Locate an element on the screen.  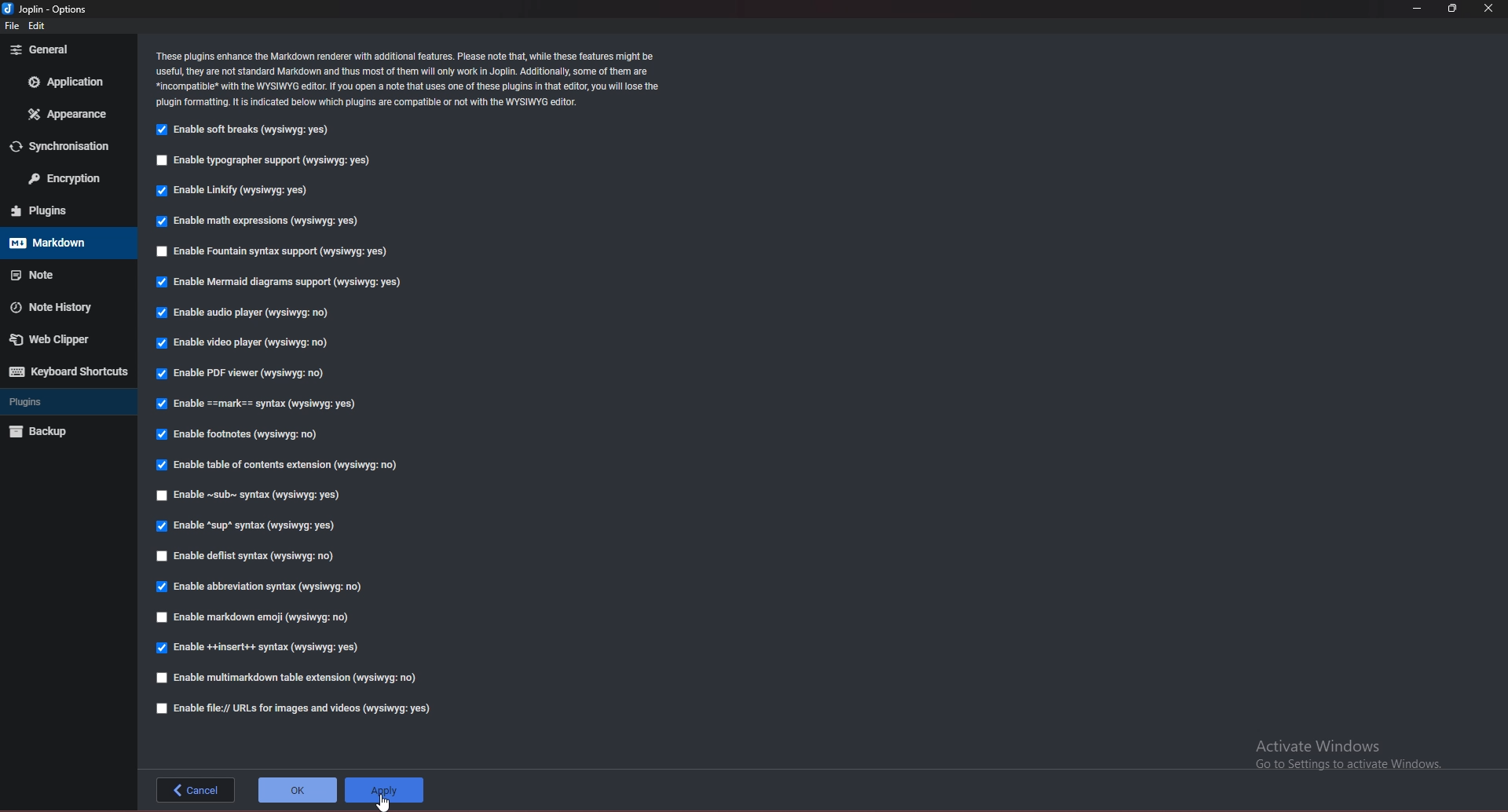
enable fountain syntax support is located at coordinates (267, 251).